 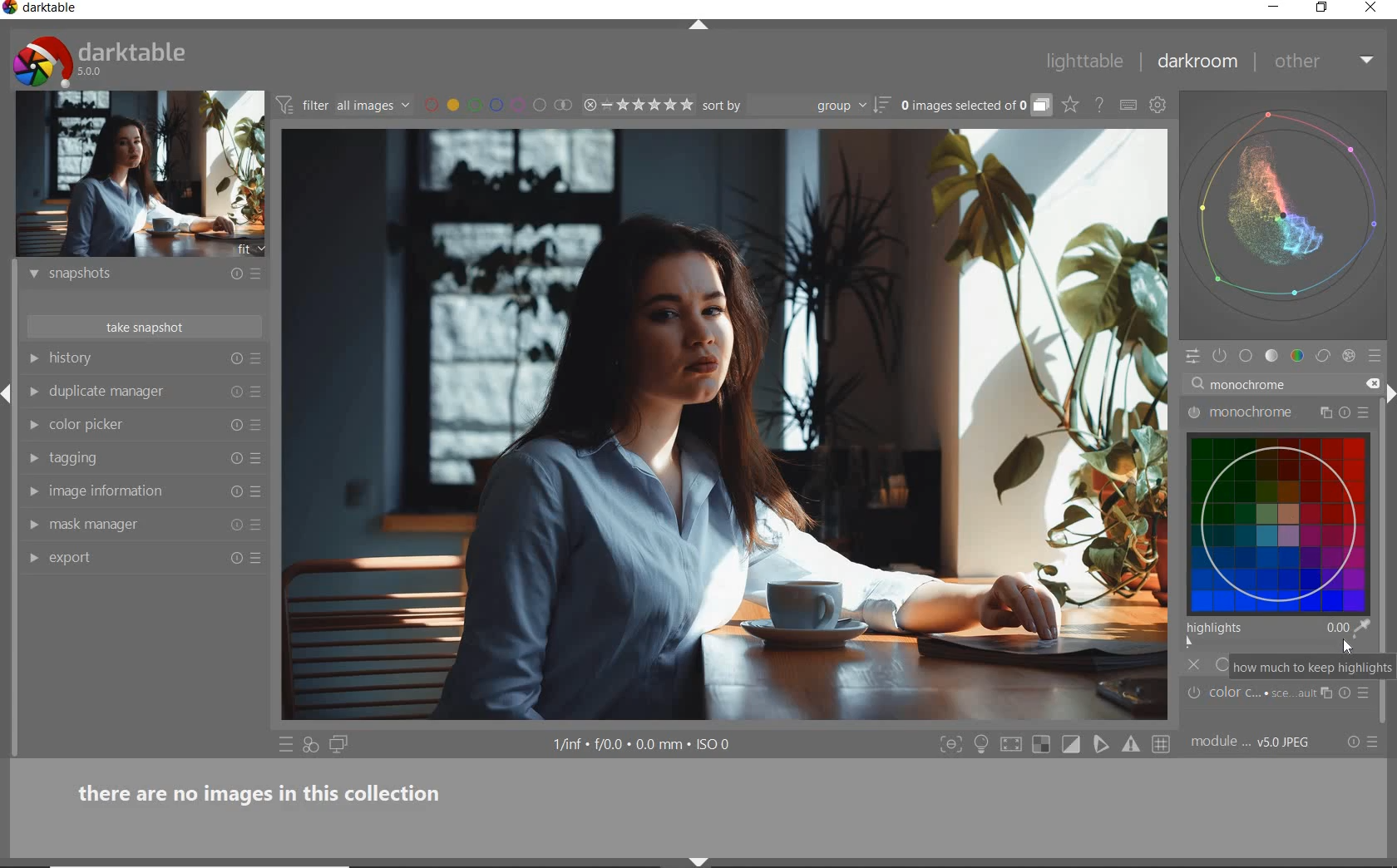 I want to click on Toggle gamut checking, so click(x=1130, y=745).